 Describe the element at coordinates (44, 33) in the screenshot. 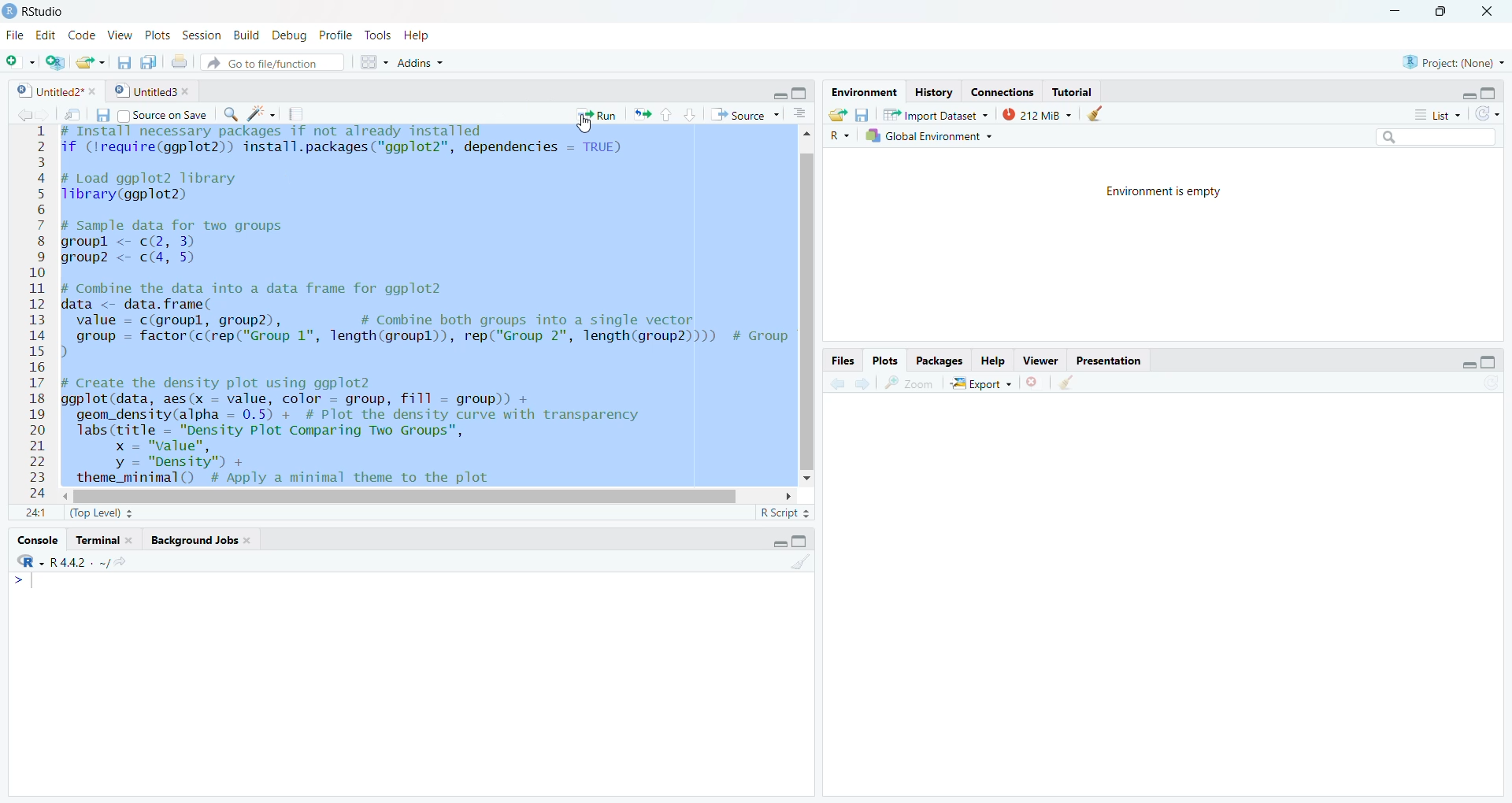

I see `edit` at that location.